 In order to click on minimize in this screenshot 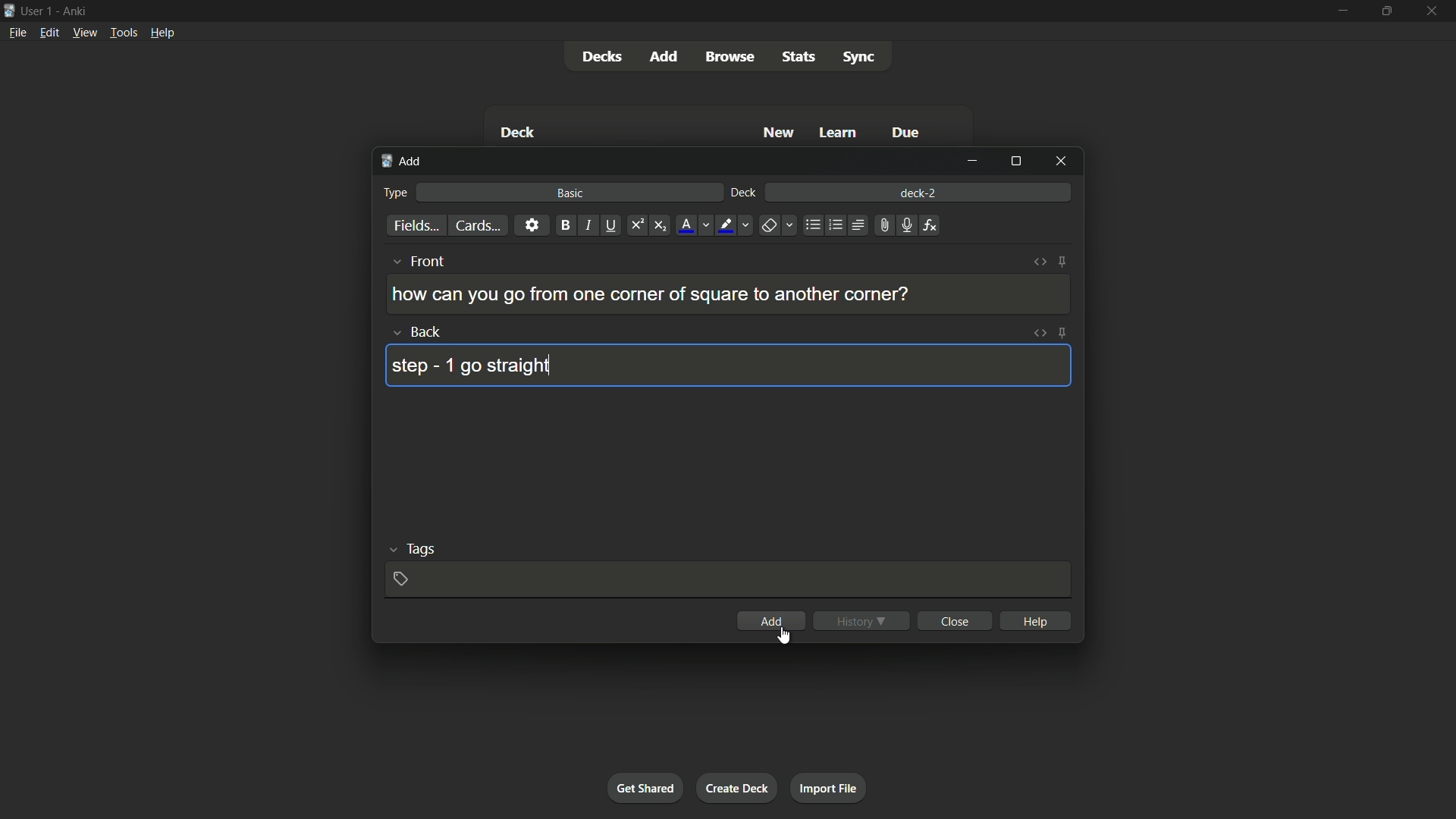, I will do `click(976, 162)`.